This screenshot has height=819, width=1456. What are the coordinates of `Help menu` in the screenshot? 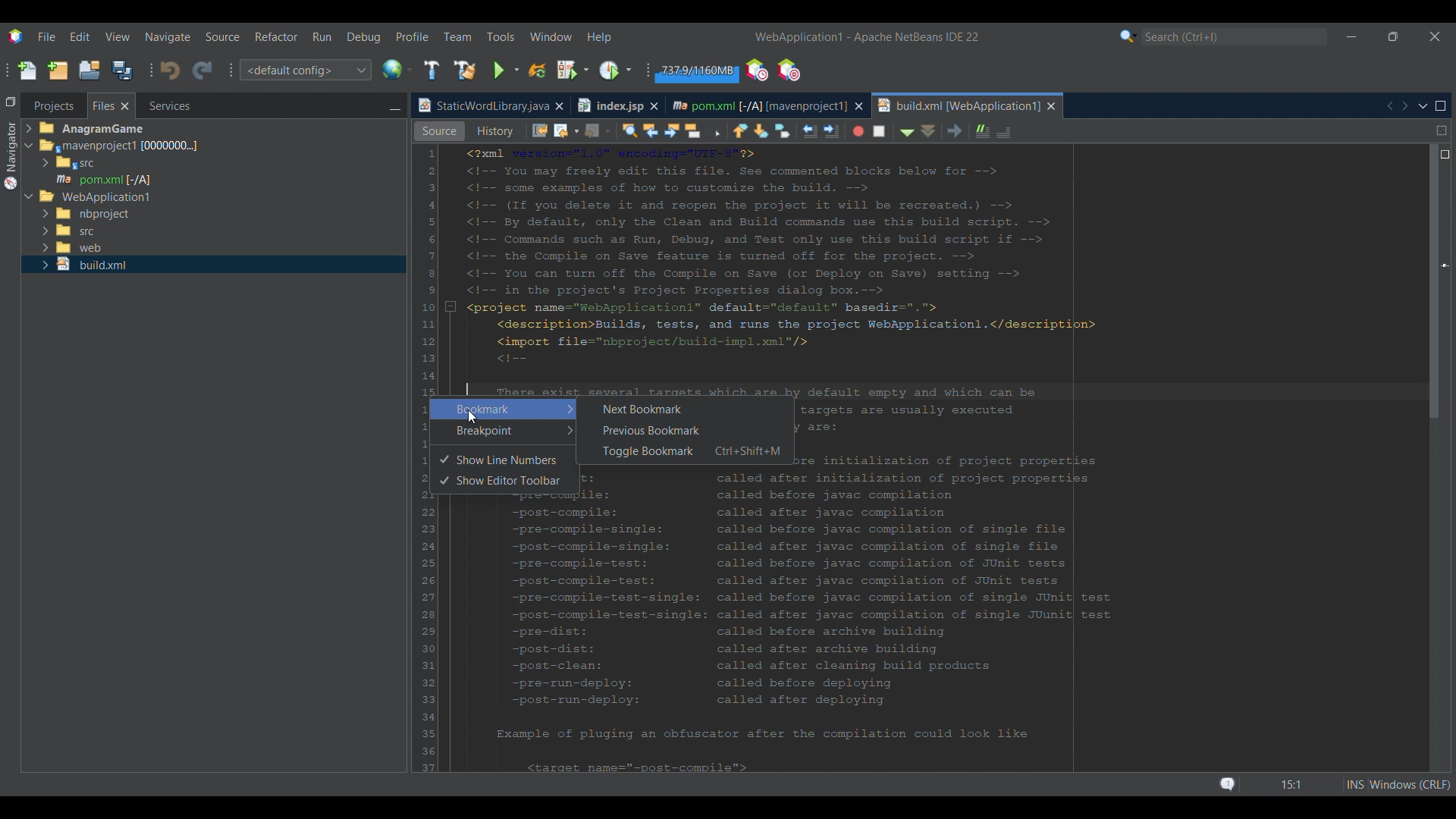 It's located at (598, 38).